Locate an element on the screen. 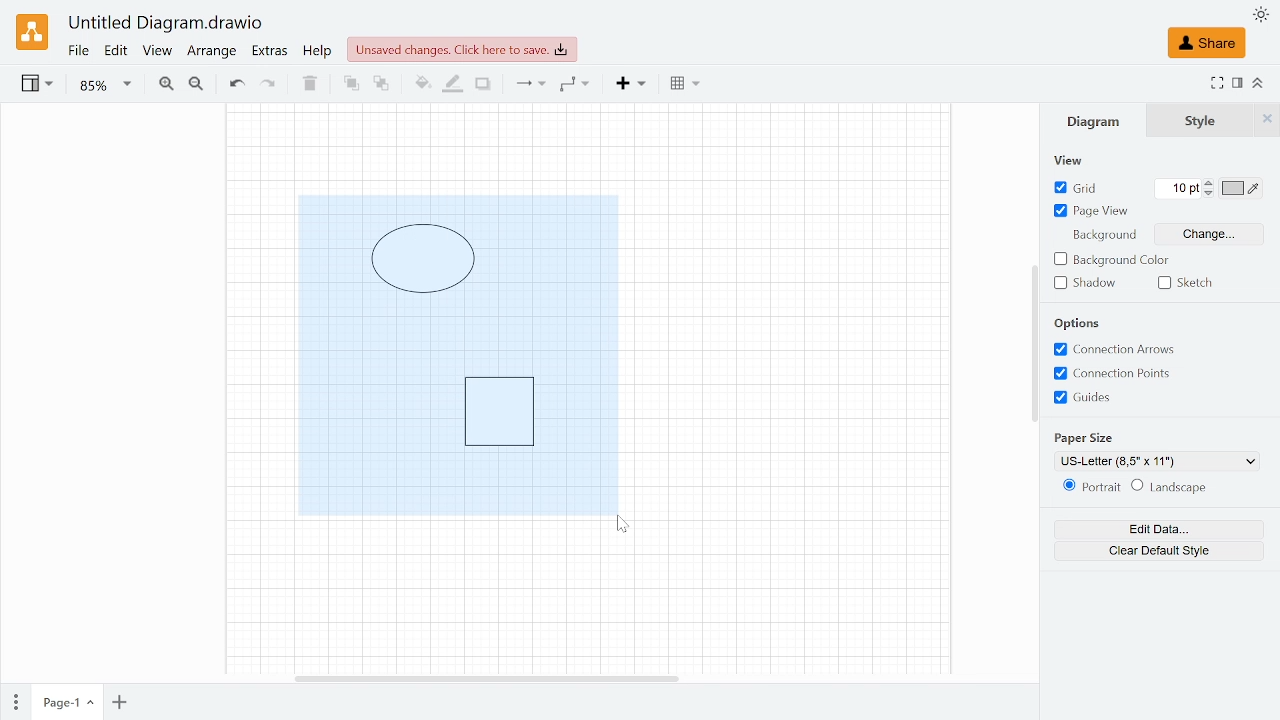 The height and width of the screenshot is (720, 1280). Vertical scrollbar is located at coordinates (1034, 343).